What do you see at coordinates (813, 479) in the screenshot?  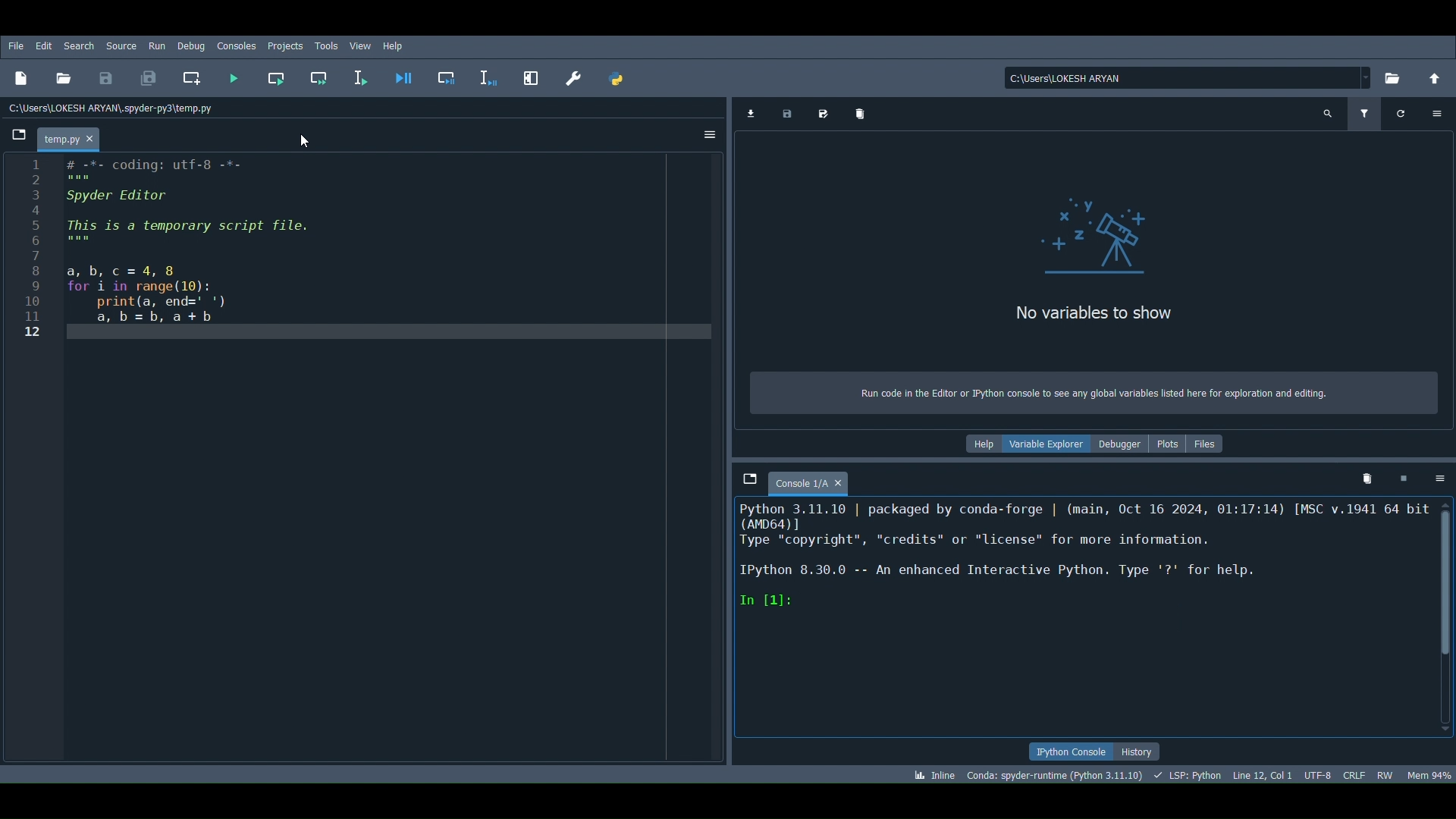 I see `Console name` at bounding box center [813, 479].